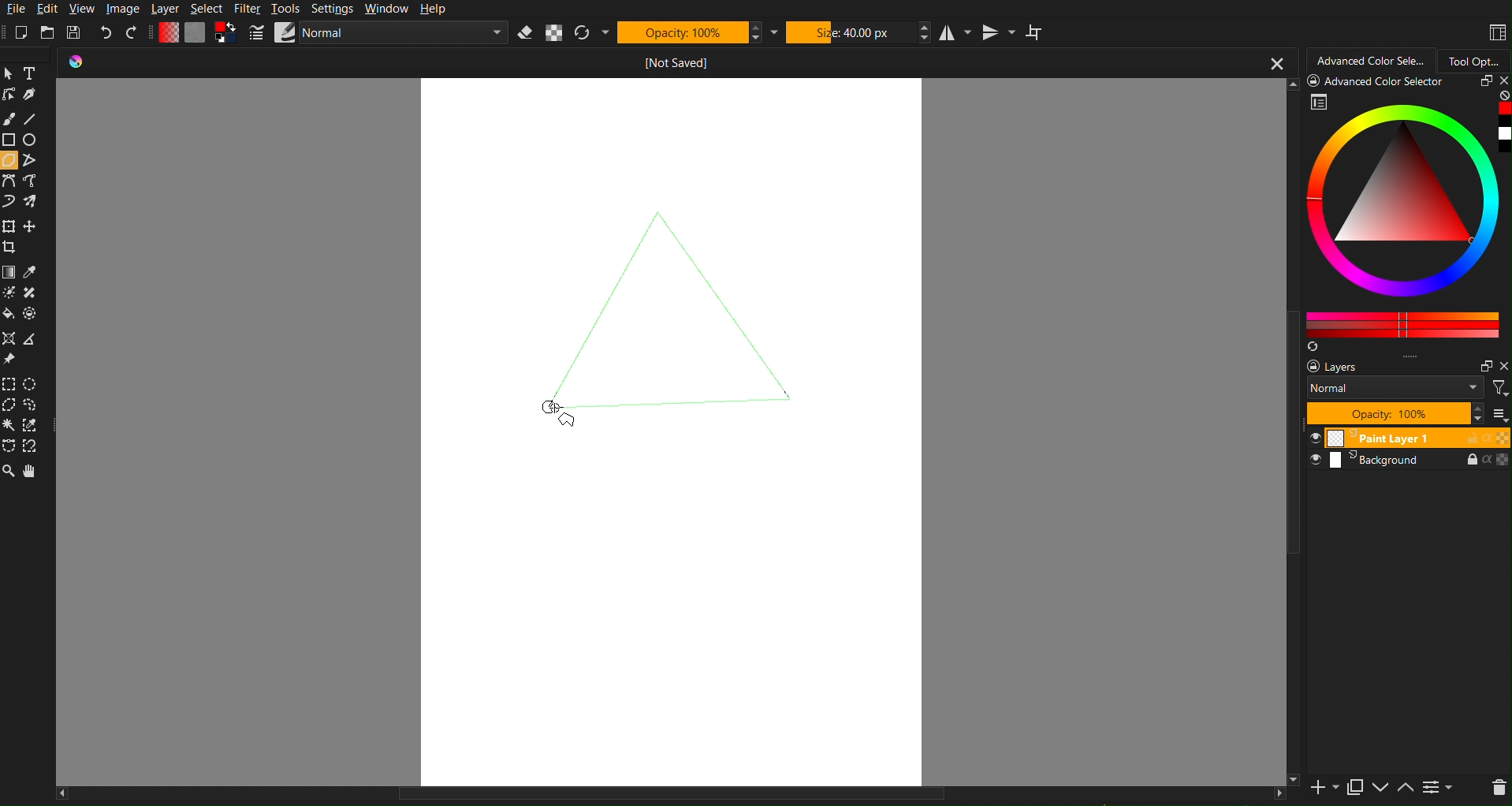 The image size is (1512, 806). I want to click on Tool Options, so click(1476, 58).